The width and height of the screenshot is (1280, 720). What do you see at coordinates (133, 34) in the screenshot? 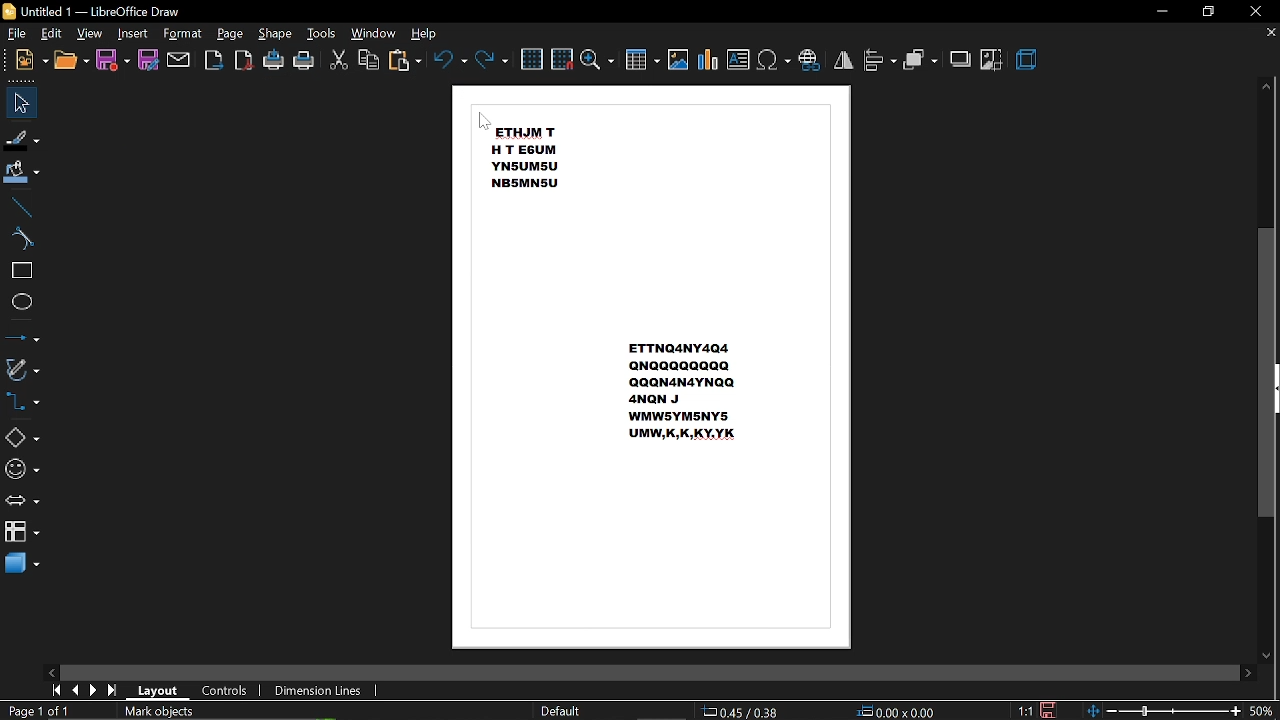
I see `insert` at bounding box center [133, 34].